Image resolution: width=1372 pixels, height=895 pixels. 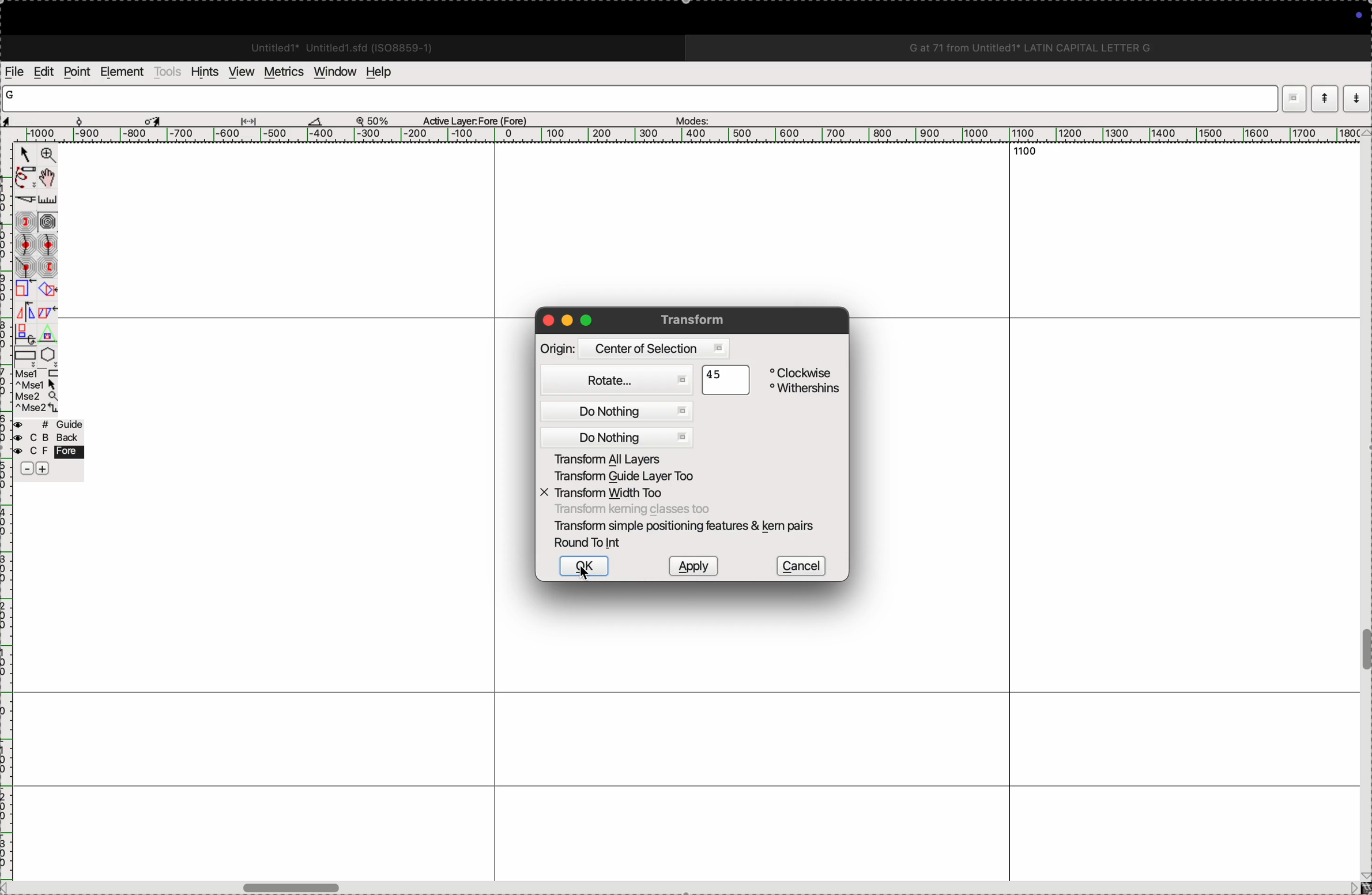 What do you see at coordinates (545, 320) in the screenshot?
I see `close` at bounding box center [545, 320].